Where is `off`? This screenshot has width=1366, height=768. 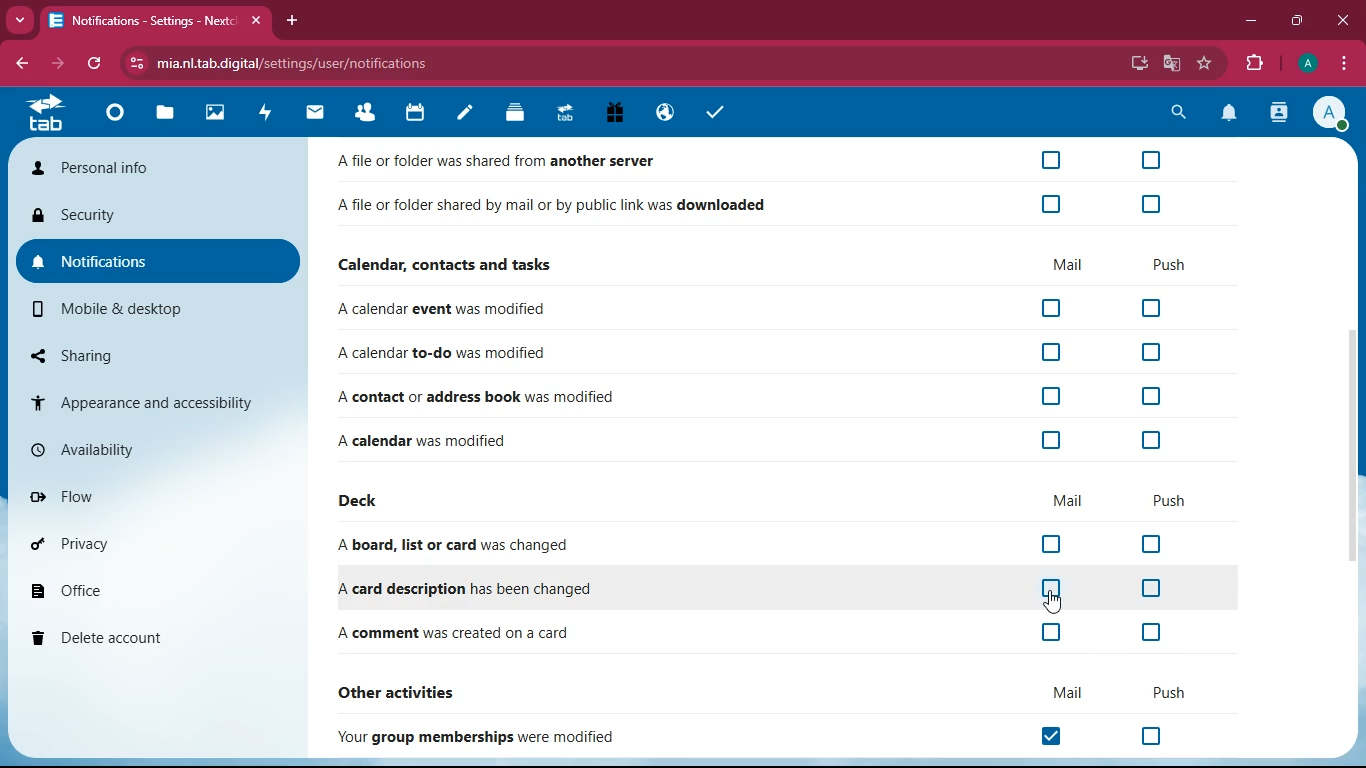
off is located at coordinates (1148, 354).